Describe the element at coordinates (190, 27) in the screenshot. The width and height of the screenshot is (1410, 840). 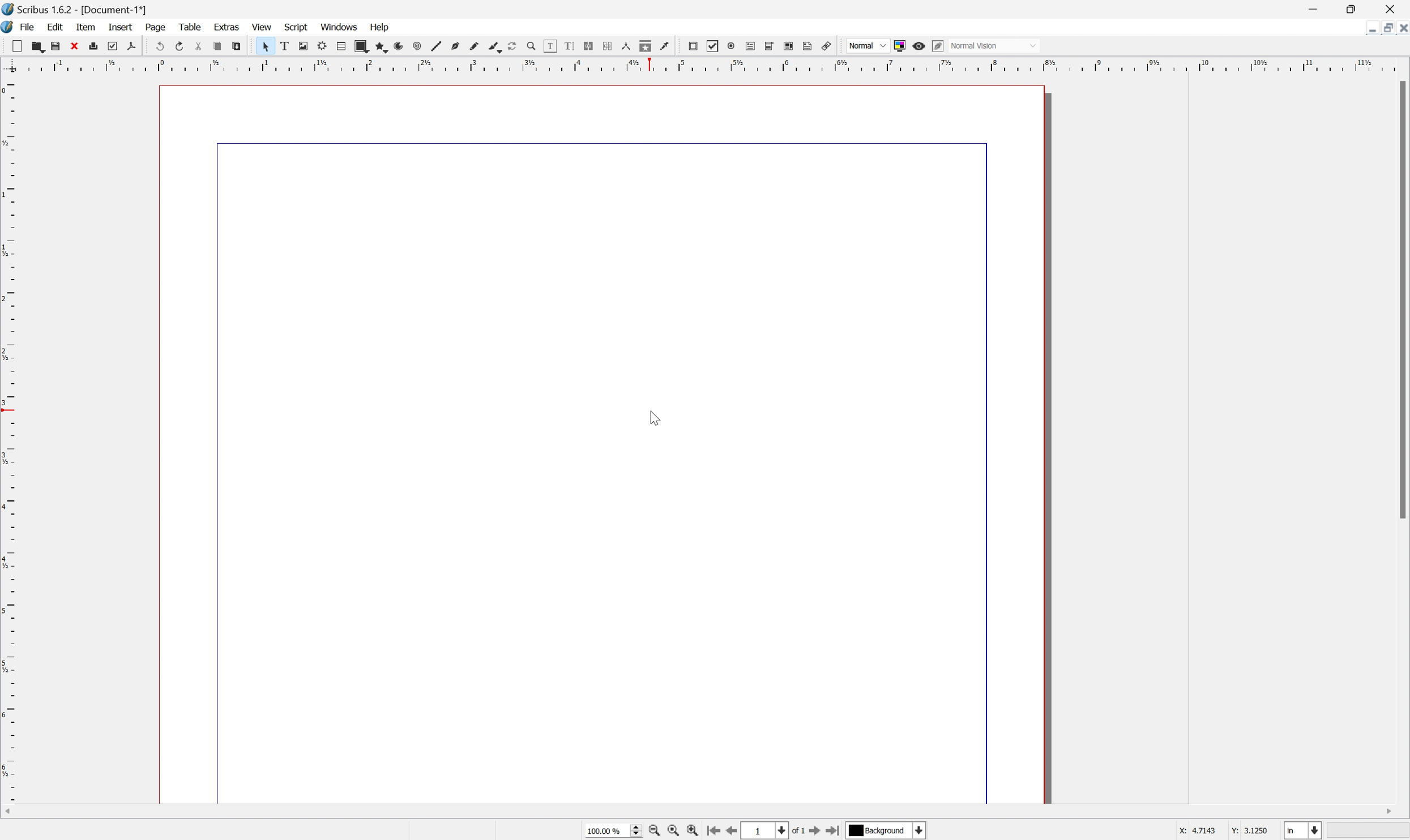
I see `table` at that location.